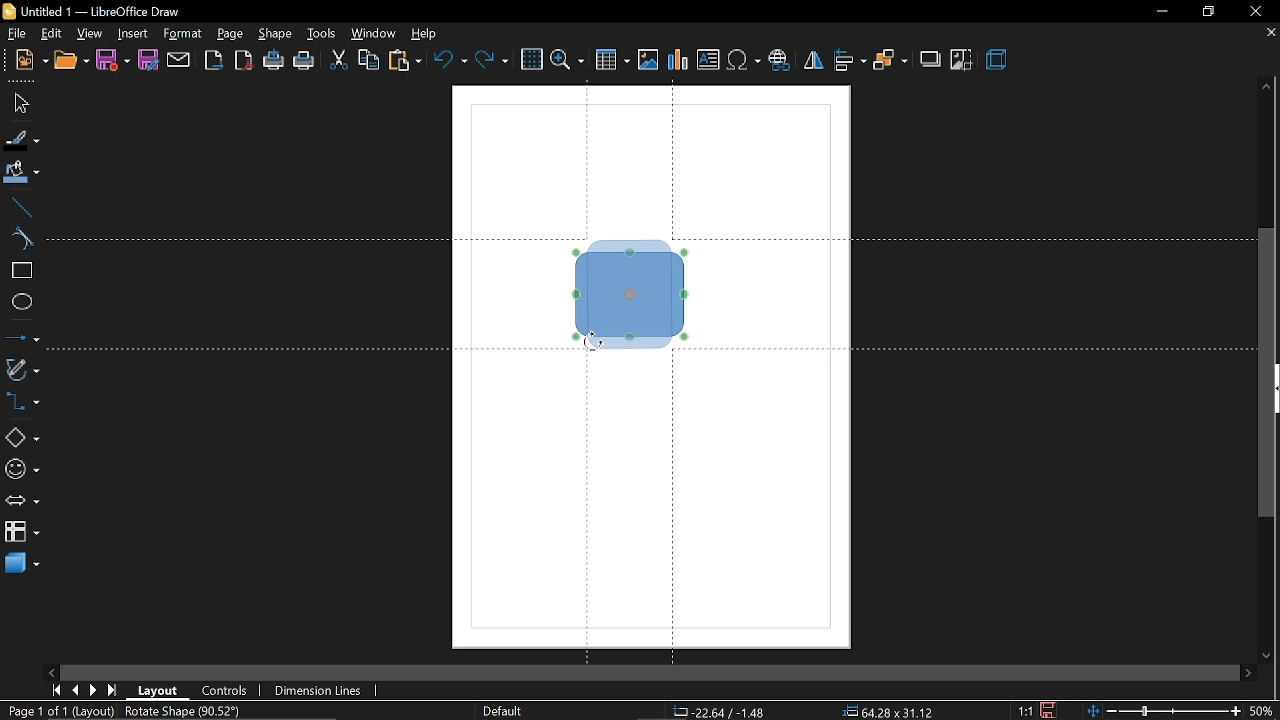  I want to click on copy, so click(369, 62).